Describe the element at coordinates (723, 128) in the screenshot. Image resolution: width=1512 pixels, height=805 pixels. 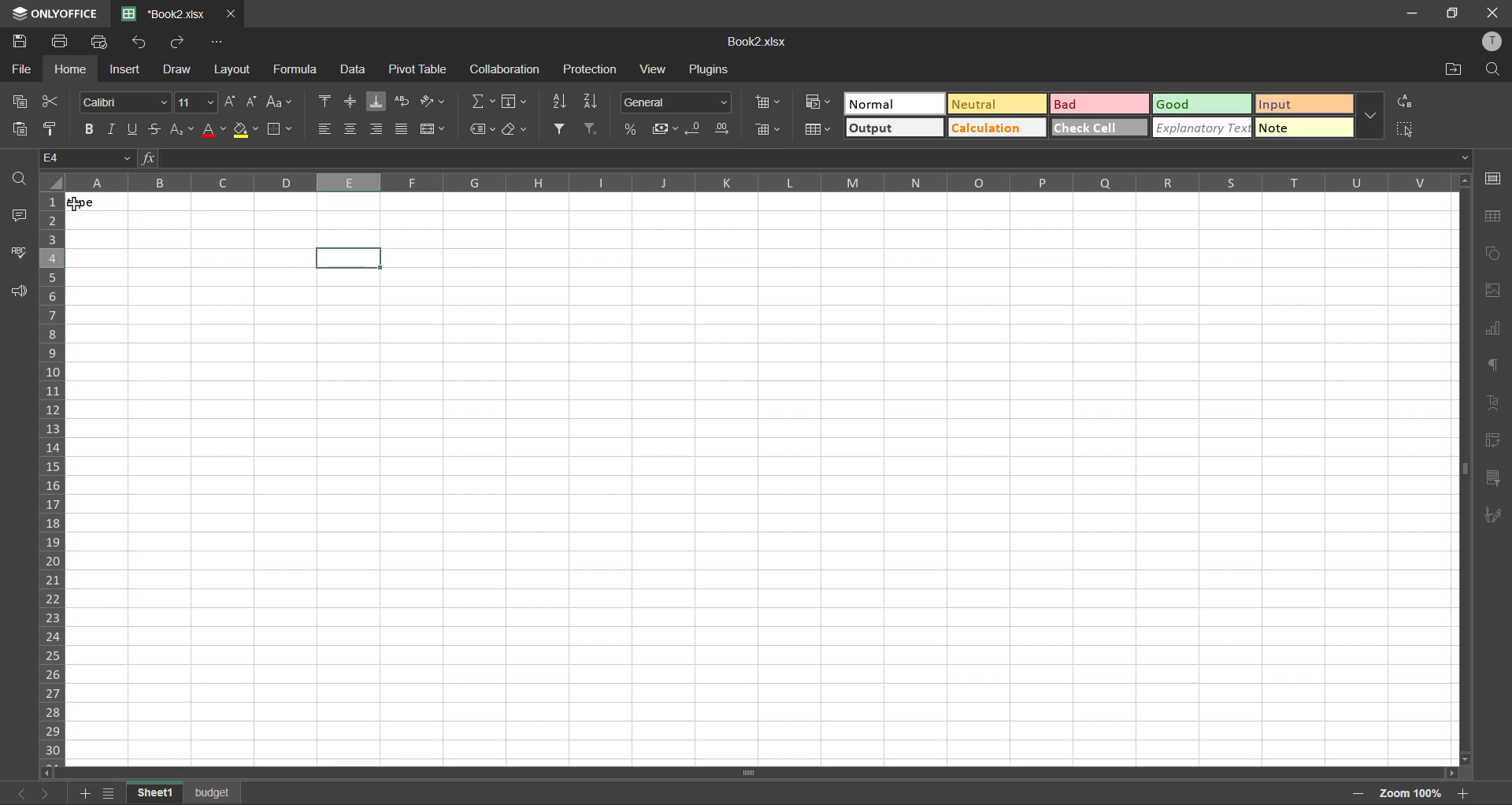
I see `increase decimal` at that location.